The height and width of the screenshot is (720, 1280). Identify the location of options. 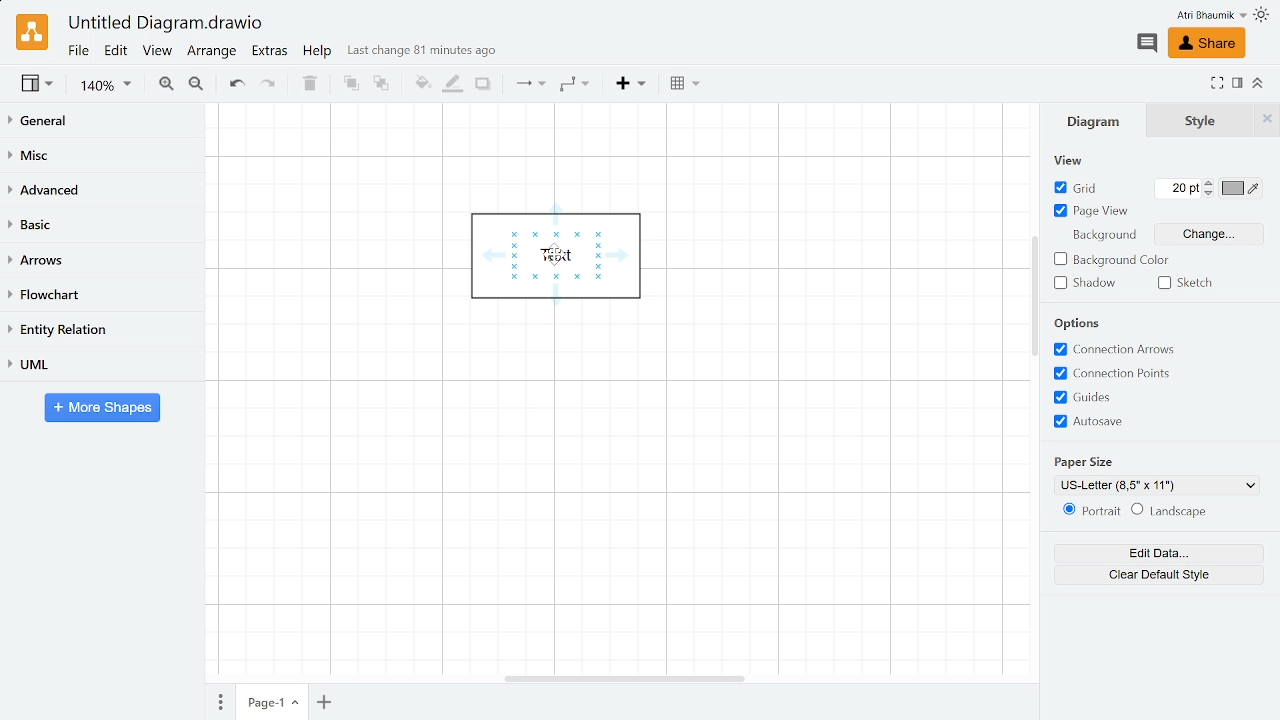
(1076, 325).